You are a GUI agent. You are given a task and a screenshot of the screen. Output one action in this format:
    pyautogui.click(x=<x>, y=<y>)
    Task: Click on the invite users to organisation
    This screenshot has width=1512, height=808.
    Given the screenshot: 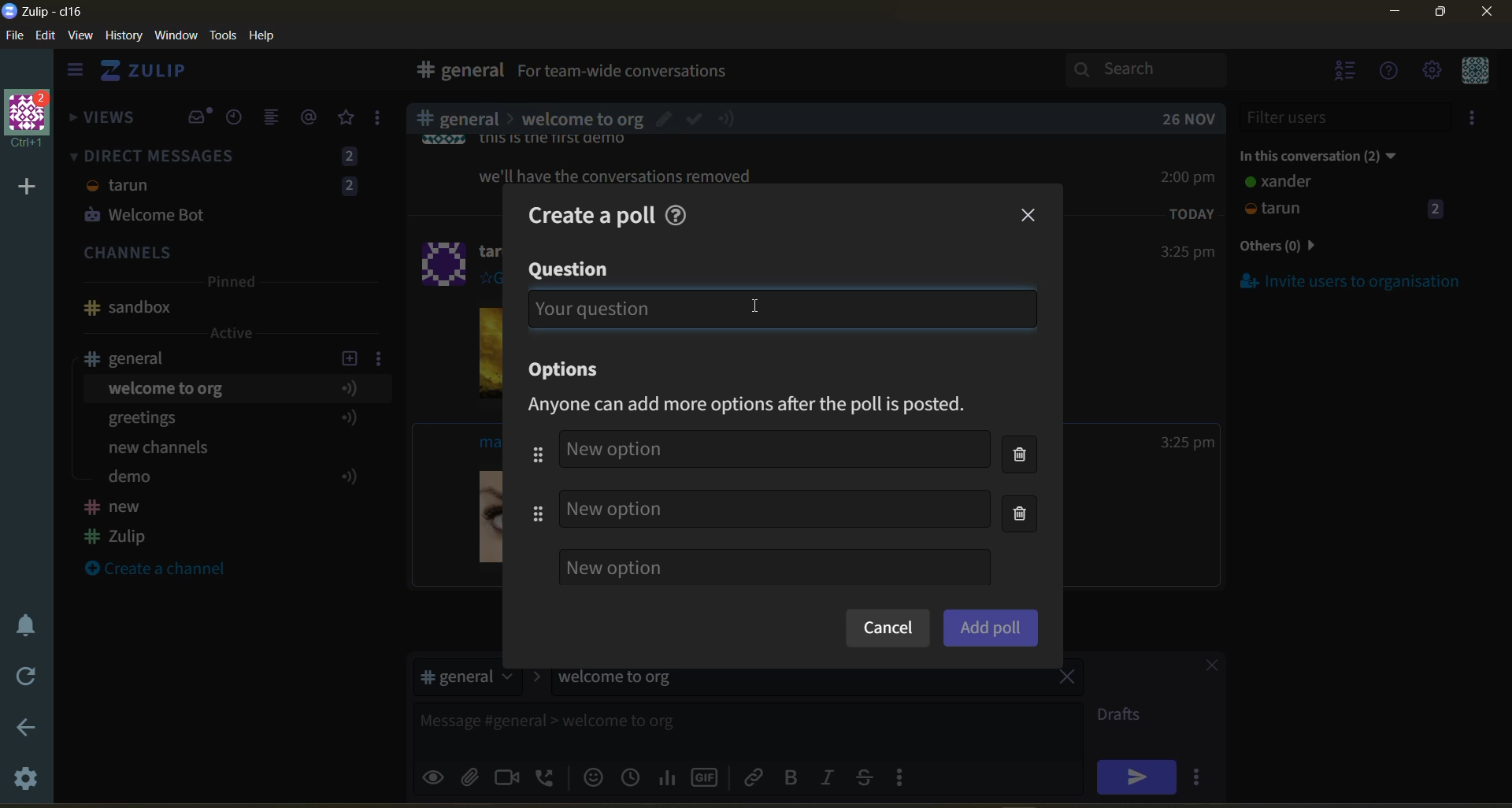 What is the action you would take?
    pyautogui.click(x=1351, y=280)
    